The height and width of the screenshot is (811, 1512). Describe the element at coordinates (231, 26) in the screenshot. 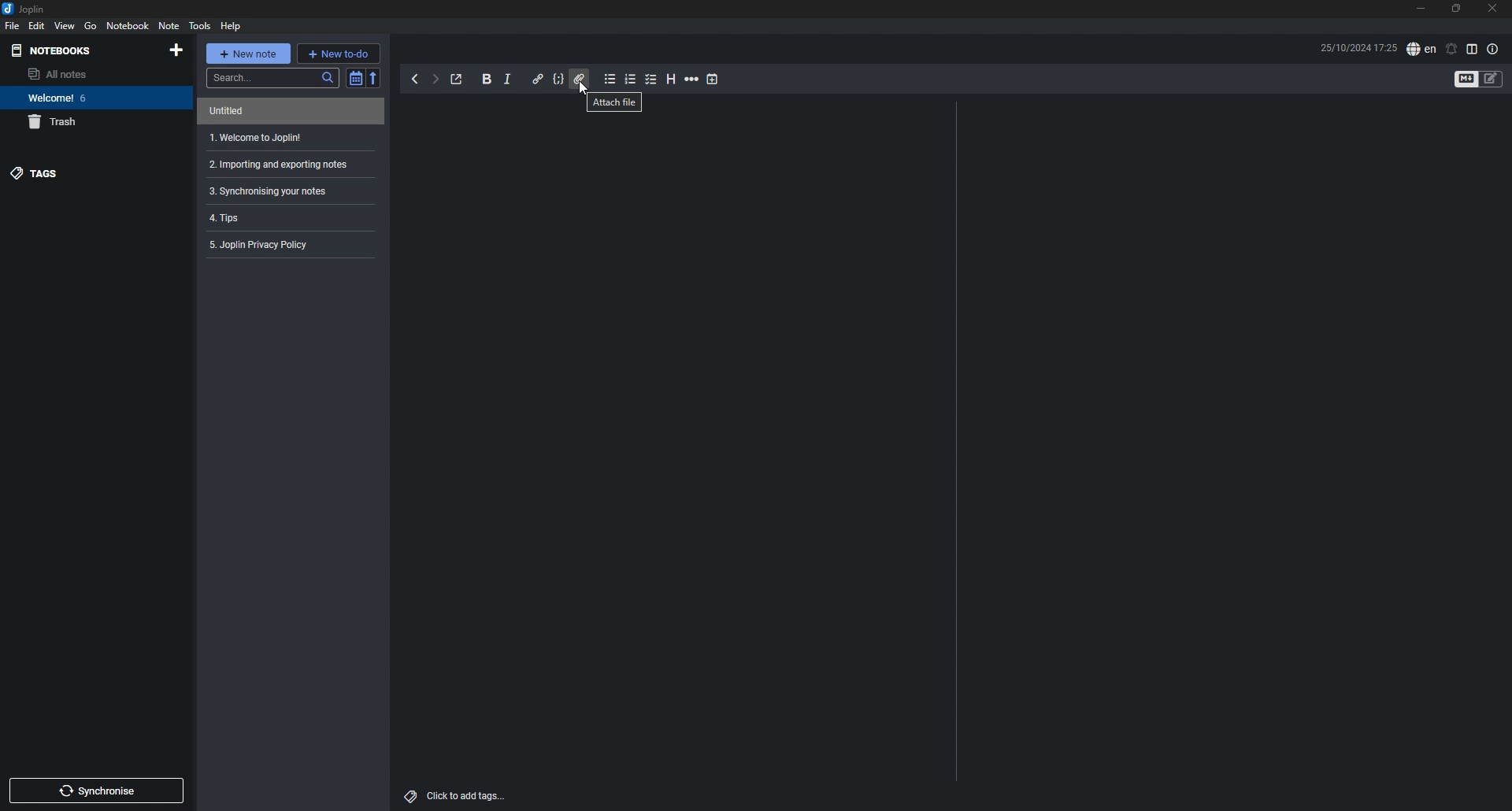

I see `help` at that location.